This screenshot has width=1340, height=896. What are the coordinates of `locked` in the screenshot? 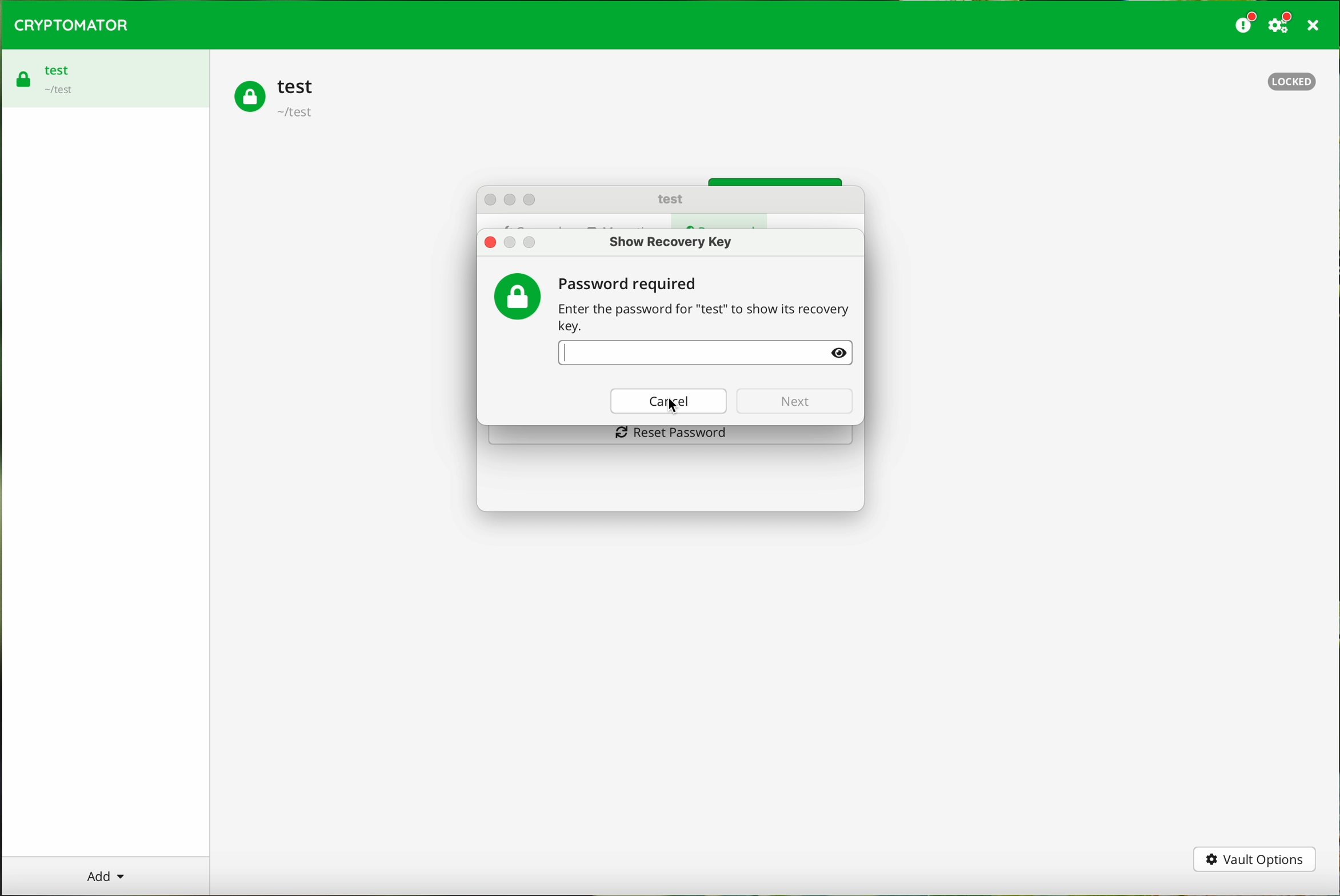 It's located at (1295, 83).